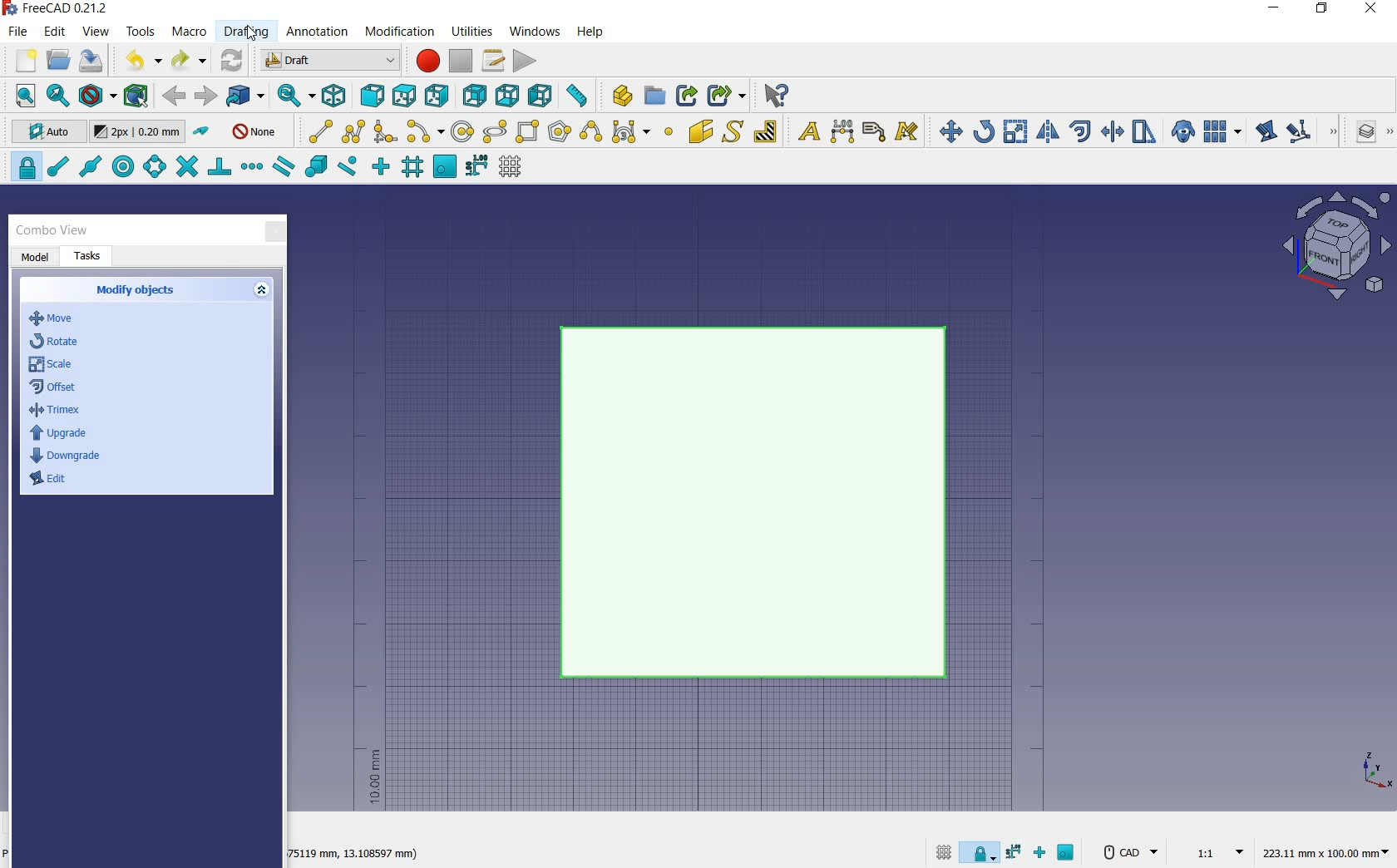 The width and height of the screenshot is (1397, 868). What do you see at coordinates (61, 319) in the screenshot?
I see `move` at bounding box center [61, 319].